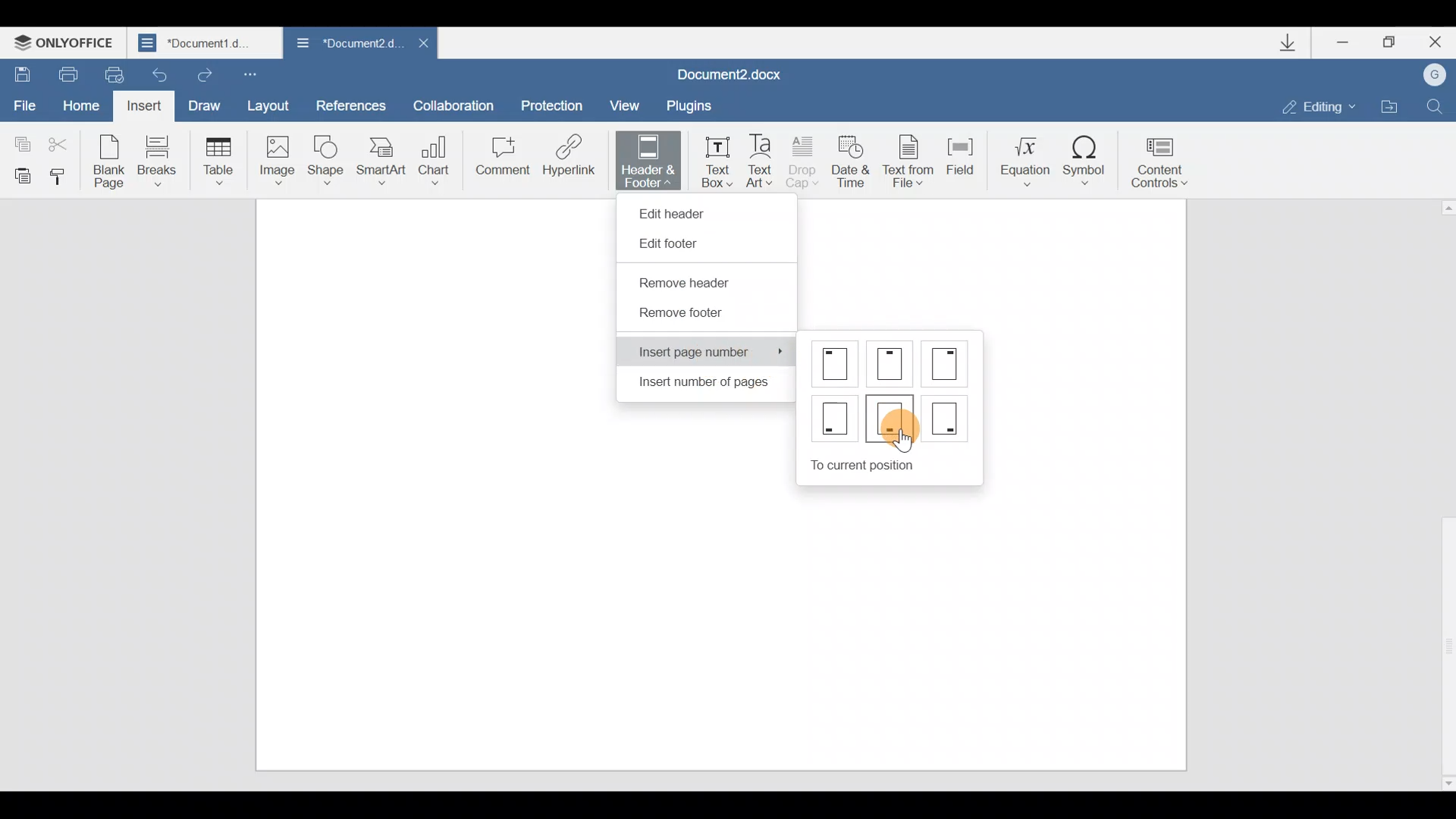 The image size is (1456, 819). I want to click on Table, so click(215, 160).